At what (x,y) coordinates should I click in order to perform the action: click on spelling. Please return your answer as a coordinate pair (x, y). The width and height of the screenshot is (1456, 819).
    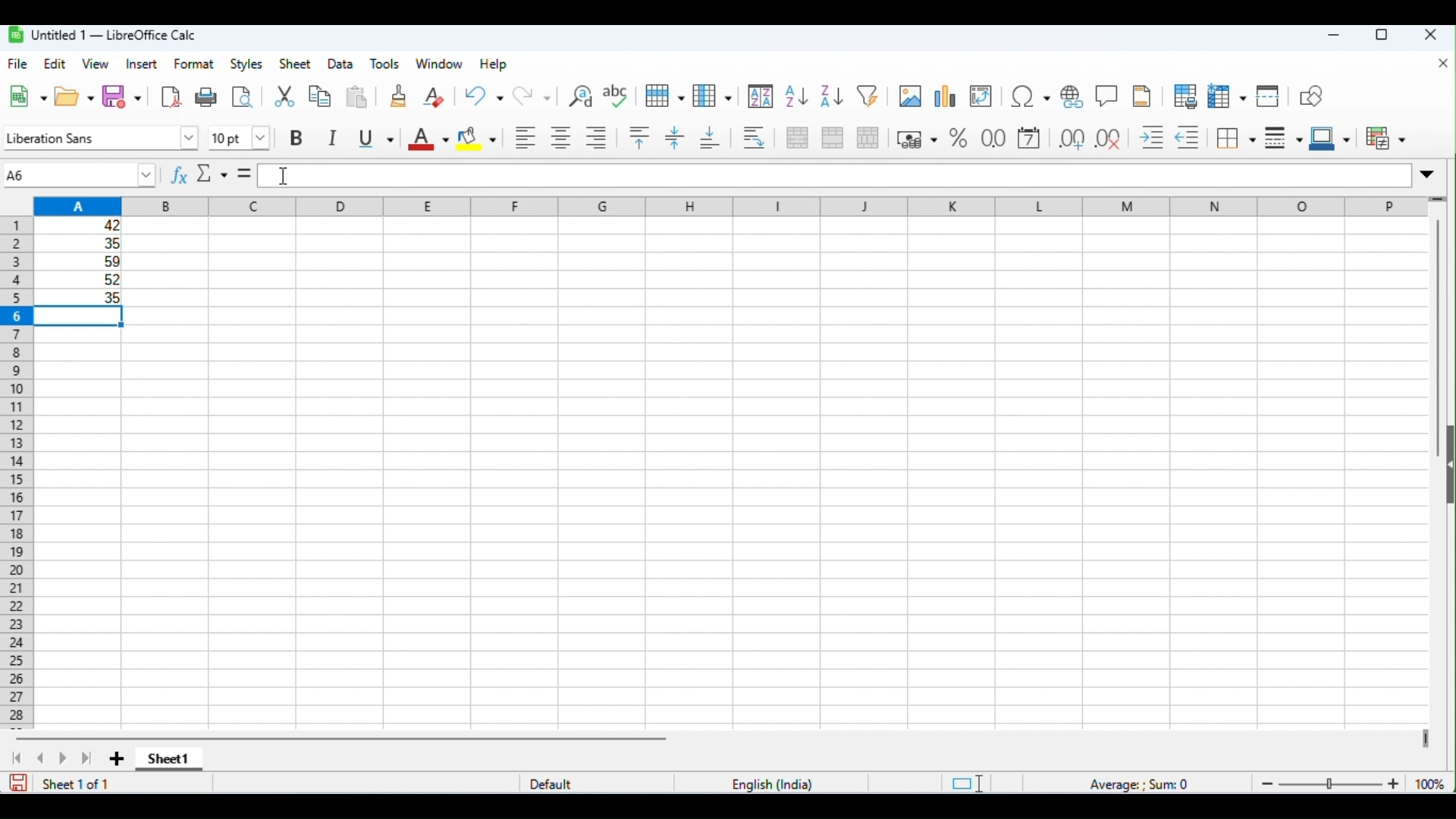
    Looking at the image, I should click on (617, 96).